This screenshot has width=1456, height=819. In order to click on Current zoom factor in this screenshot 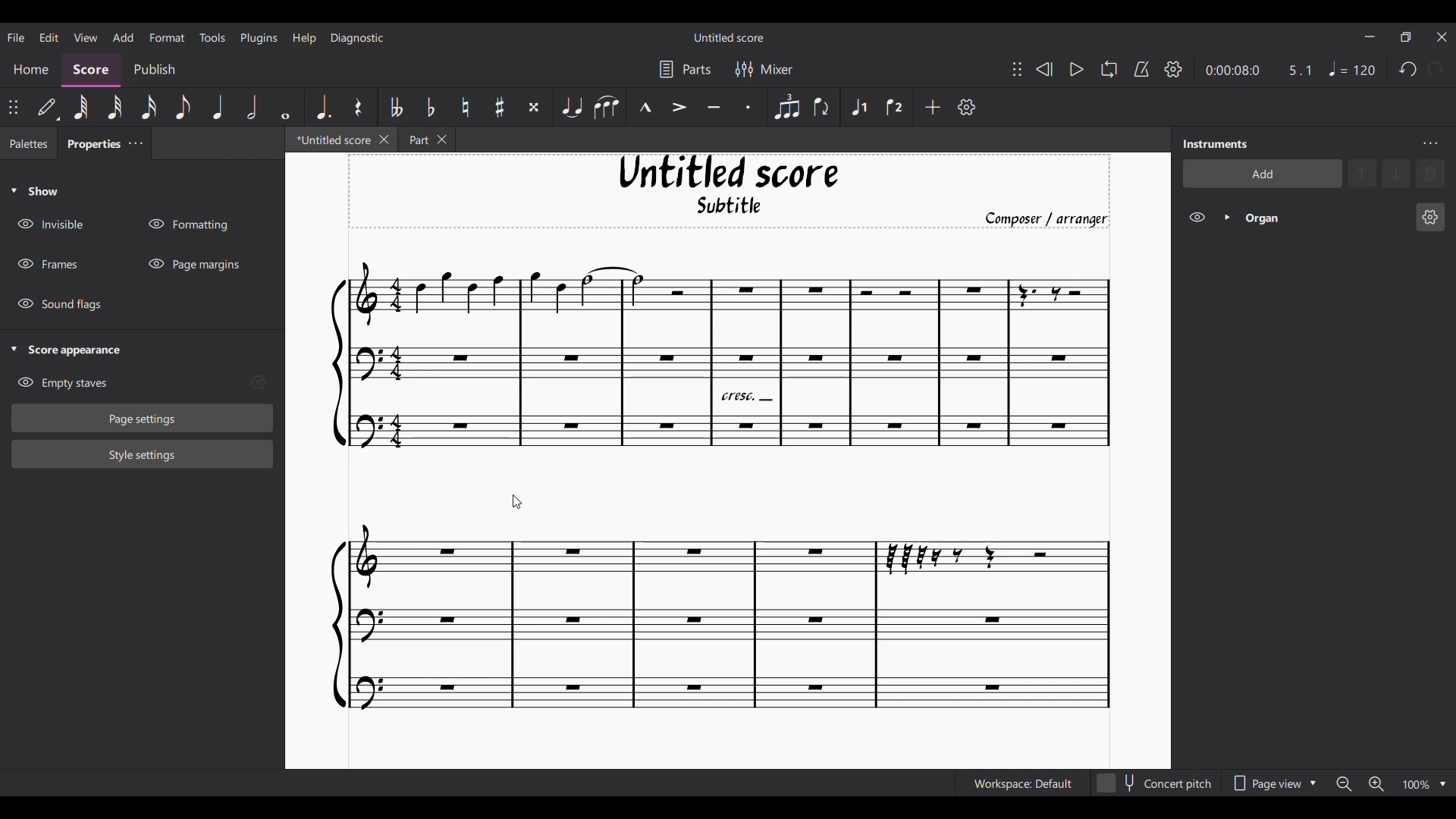, I will do `click(1415, 786)`.